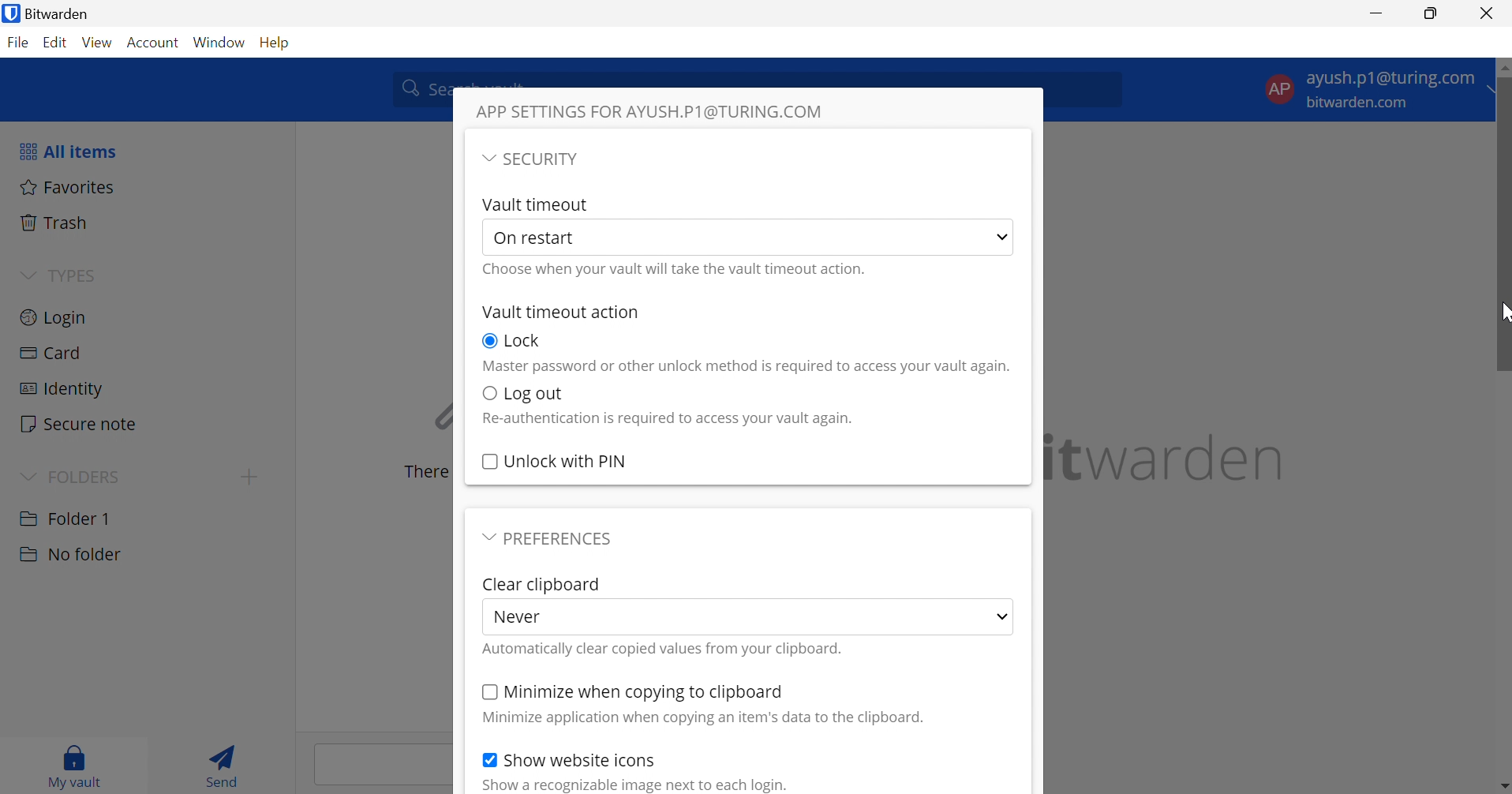  I want to click on Help, so click(278, 41).